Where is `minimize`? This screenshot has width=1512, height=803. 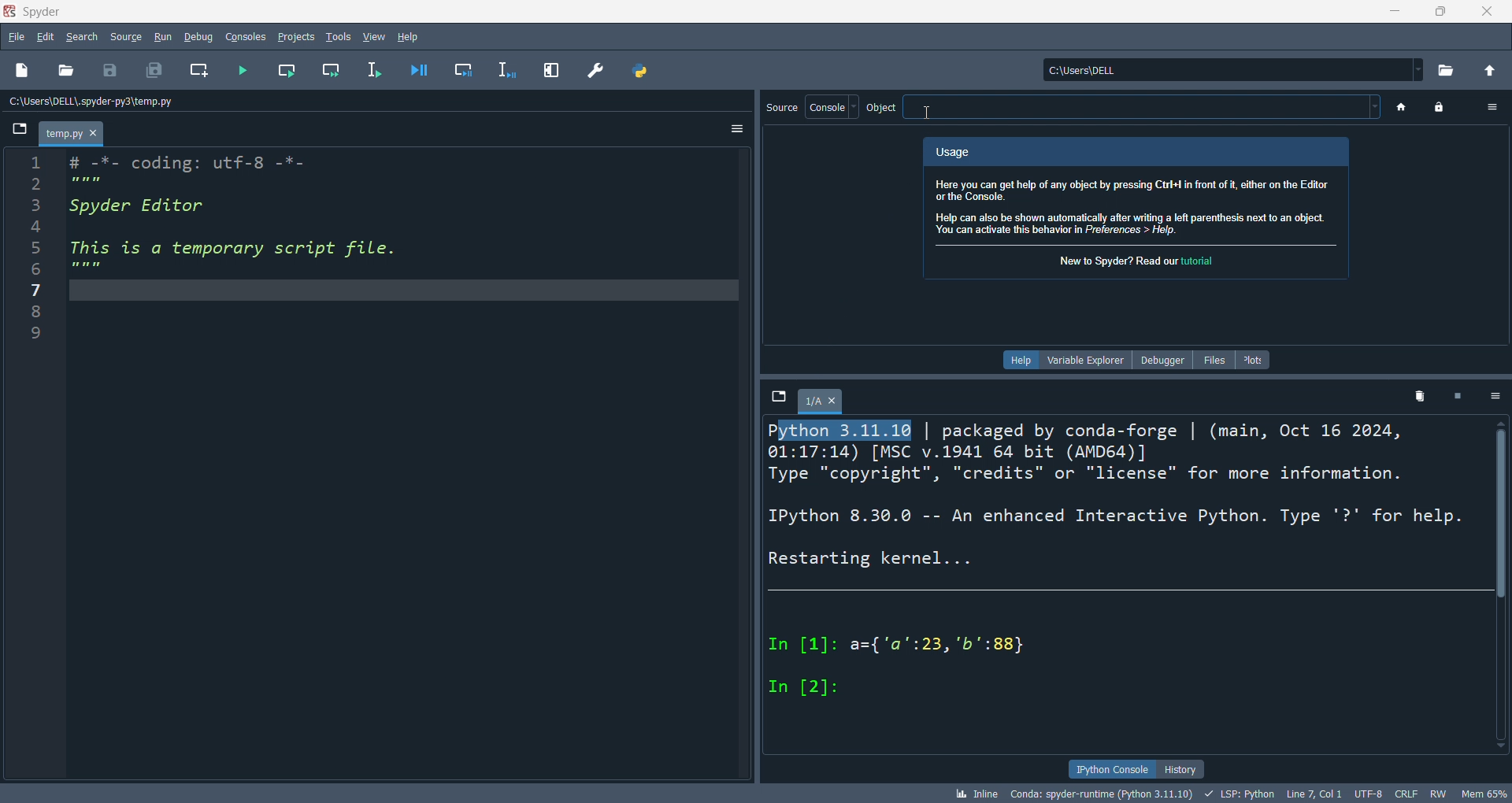
minimize is located at coordinates (1396, 12).